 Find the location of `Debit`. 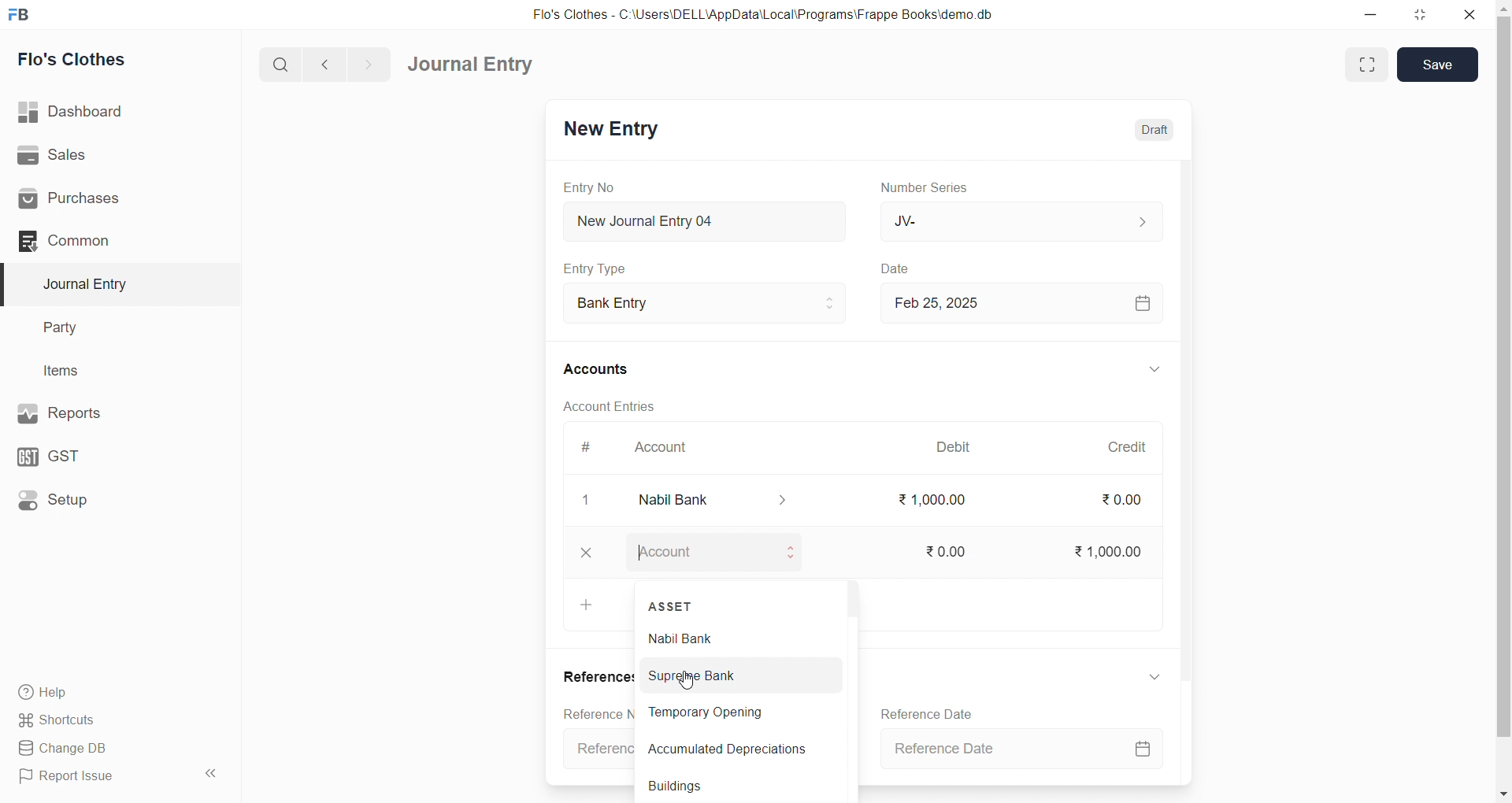

Debit is located at coordinates (962, 449).